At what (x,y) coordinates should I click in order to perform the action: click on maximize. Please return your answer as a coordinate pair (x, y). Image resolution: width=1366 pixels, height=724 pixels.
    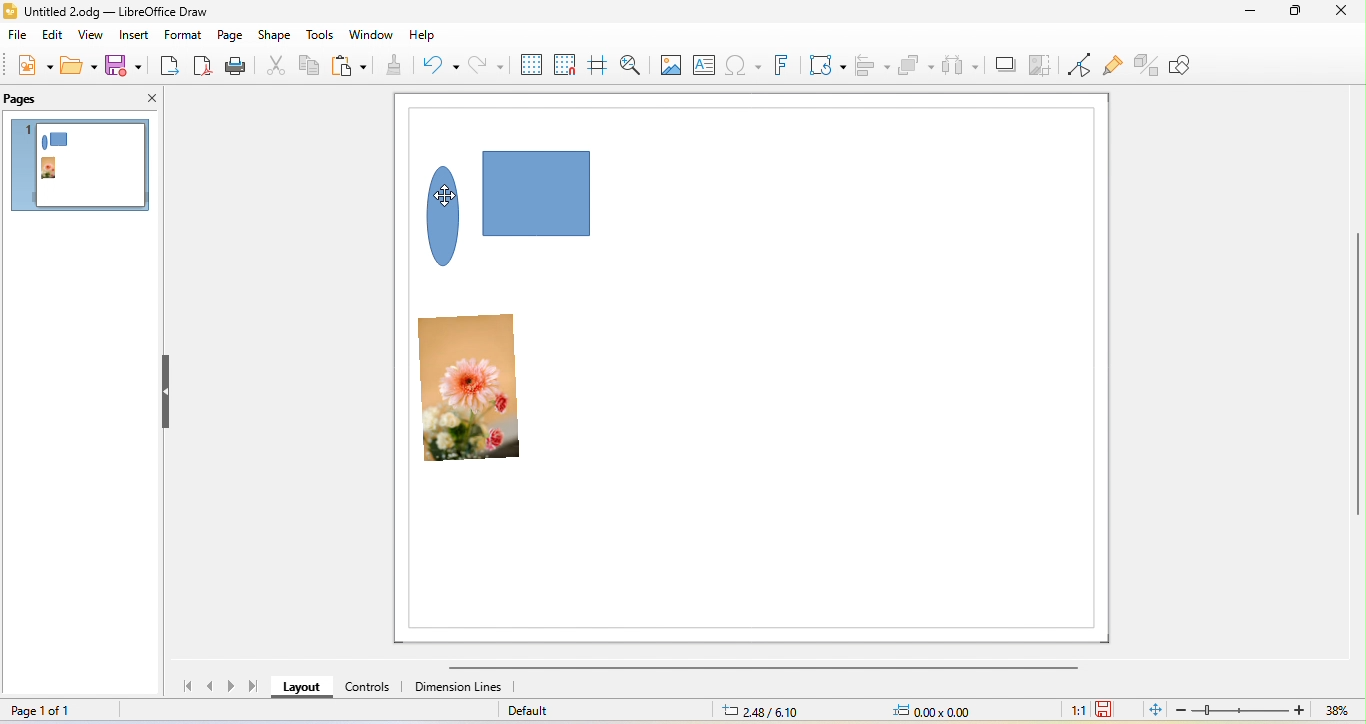
    Looking at the image, I should click on (1294, 16).